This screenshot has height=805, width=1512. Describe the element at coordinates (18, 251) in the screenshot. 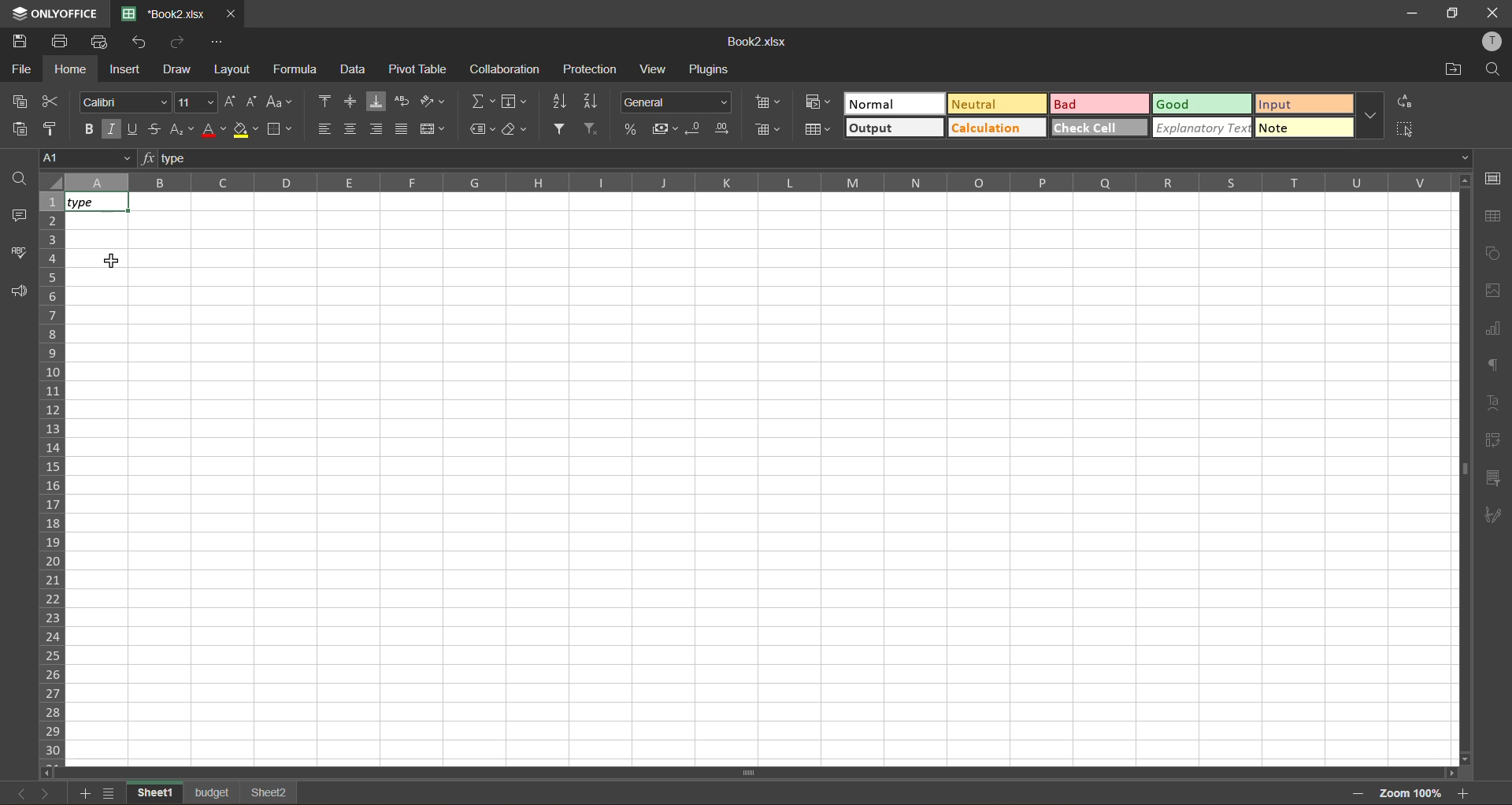

I see `spellcheck` at that location.